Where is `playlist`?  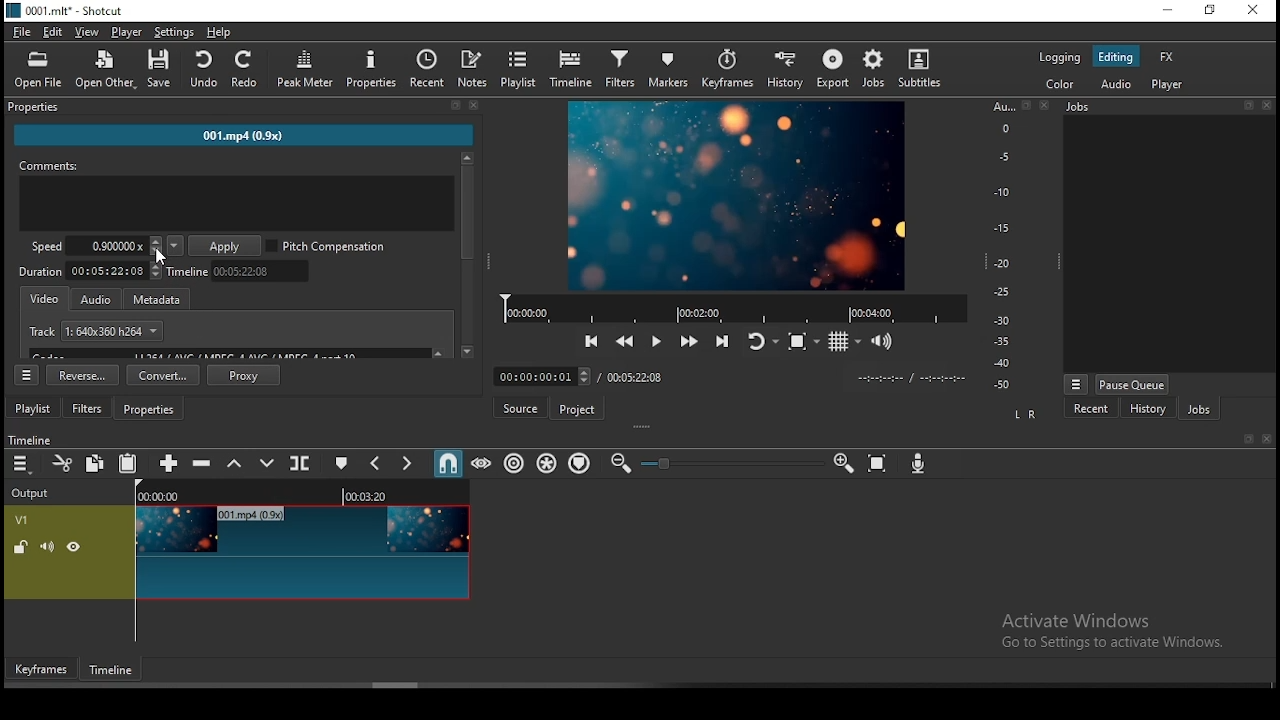
playlist is located at coordinates (519, 69).